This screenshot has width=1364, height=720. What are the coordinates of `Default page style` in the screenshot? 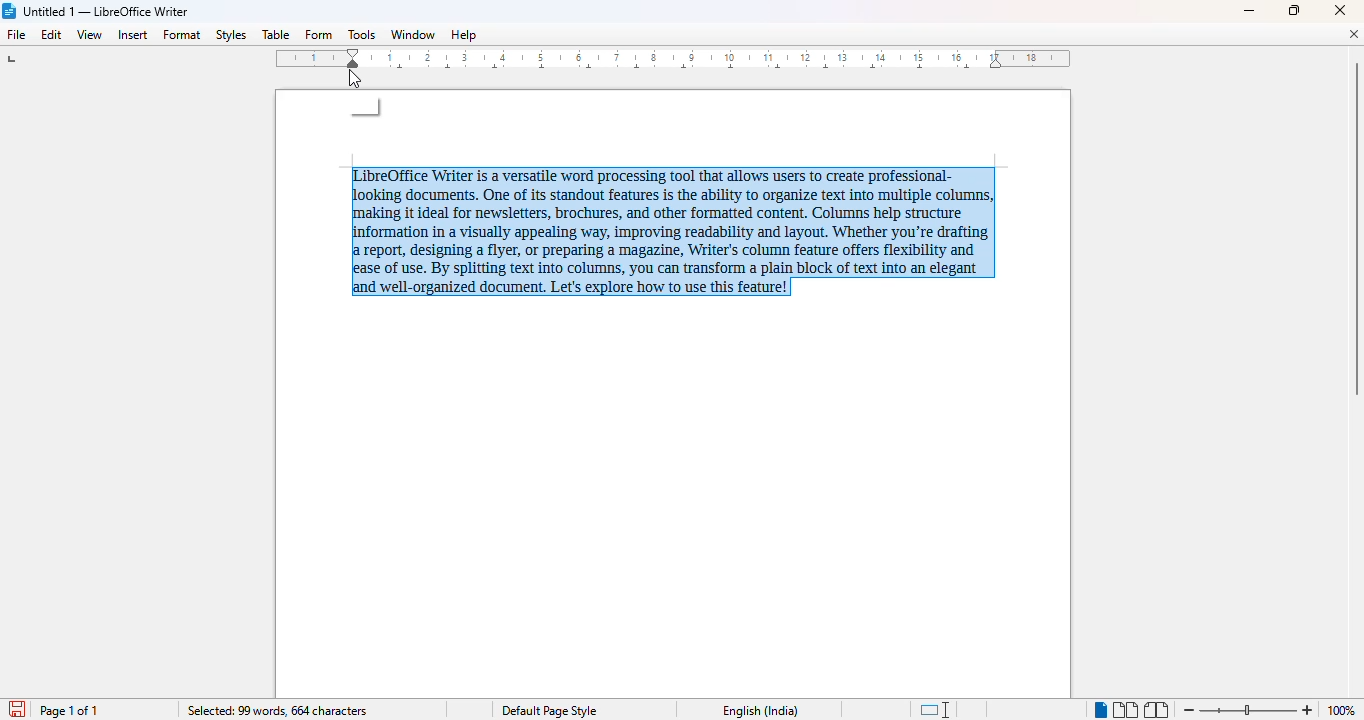 It's located at (553, 710).